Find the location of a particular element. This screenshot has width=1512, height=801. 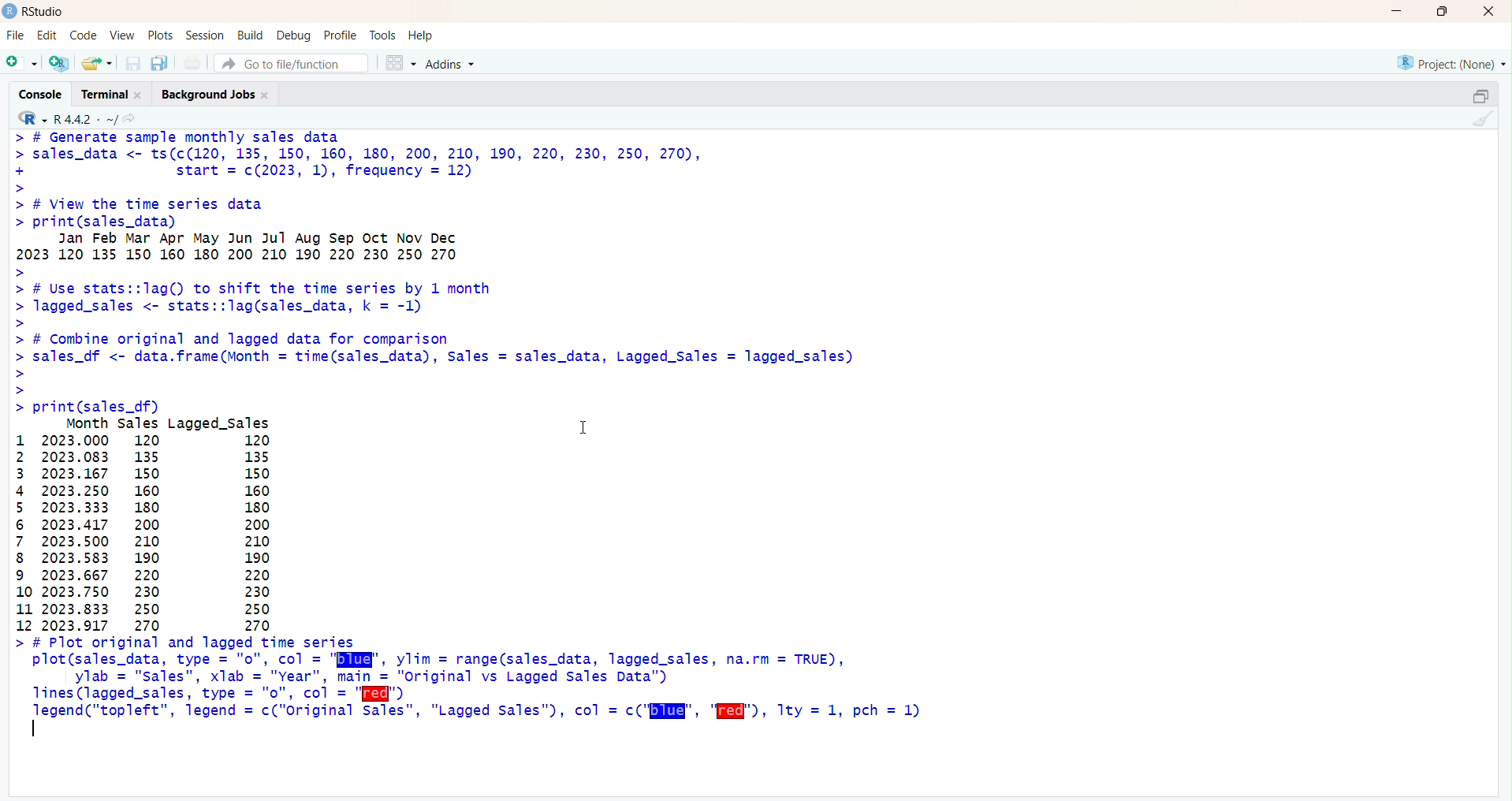

> # Use stats::lag() to shift the time series by 1 month> lagged_sales <- stats::lag(sales_data, k = -1)>> # Combine original and lagged data for comparison> sales_df <- data.frame(Month = time(sales_data), Sales = sales_data, Lagged_Sales = lagged_sales>>> is located at coordinates (434, 332).